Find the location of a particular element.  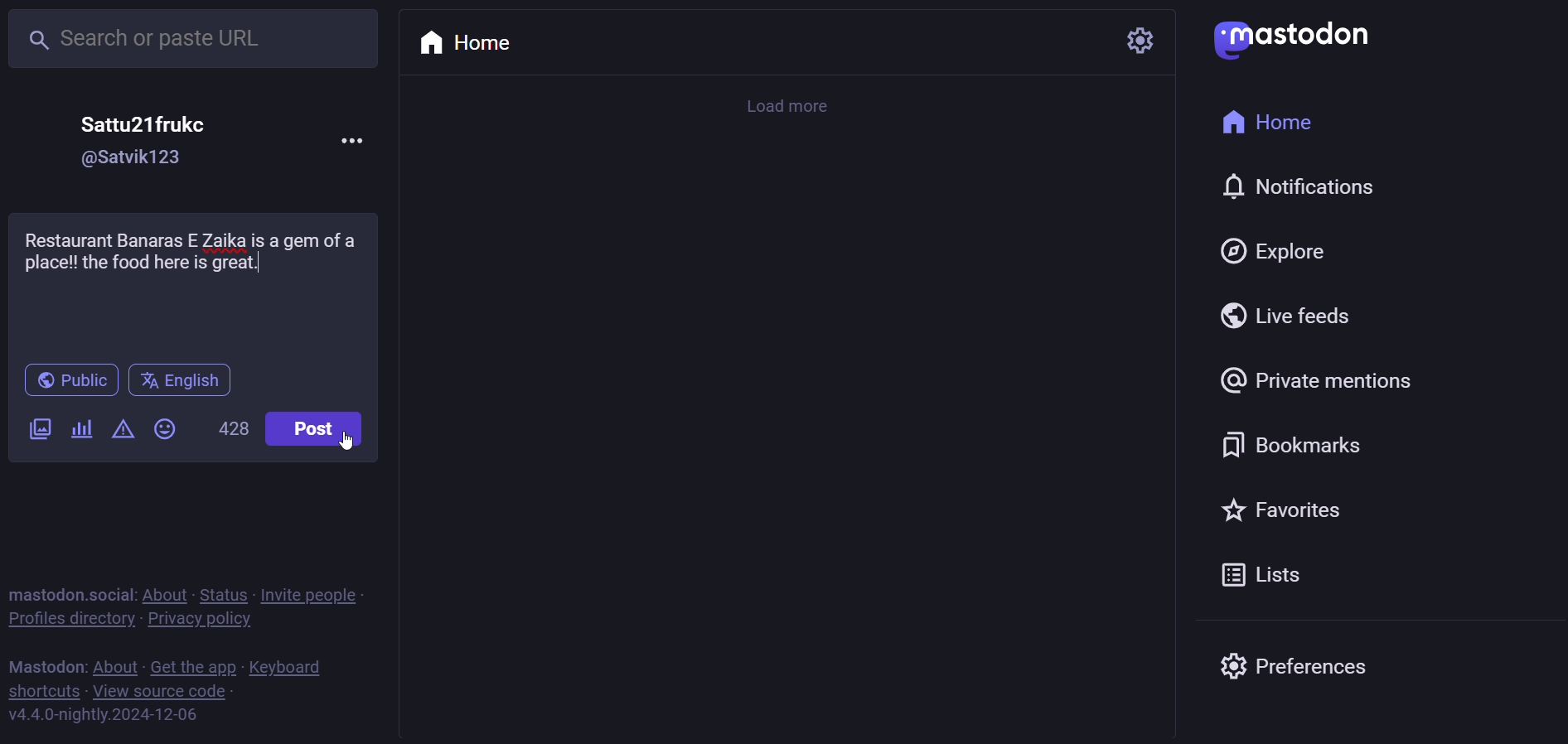

Notification is located at coordinates (1295, 186).